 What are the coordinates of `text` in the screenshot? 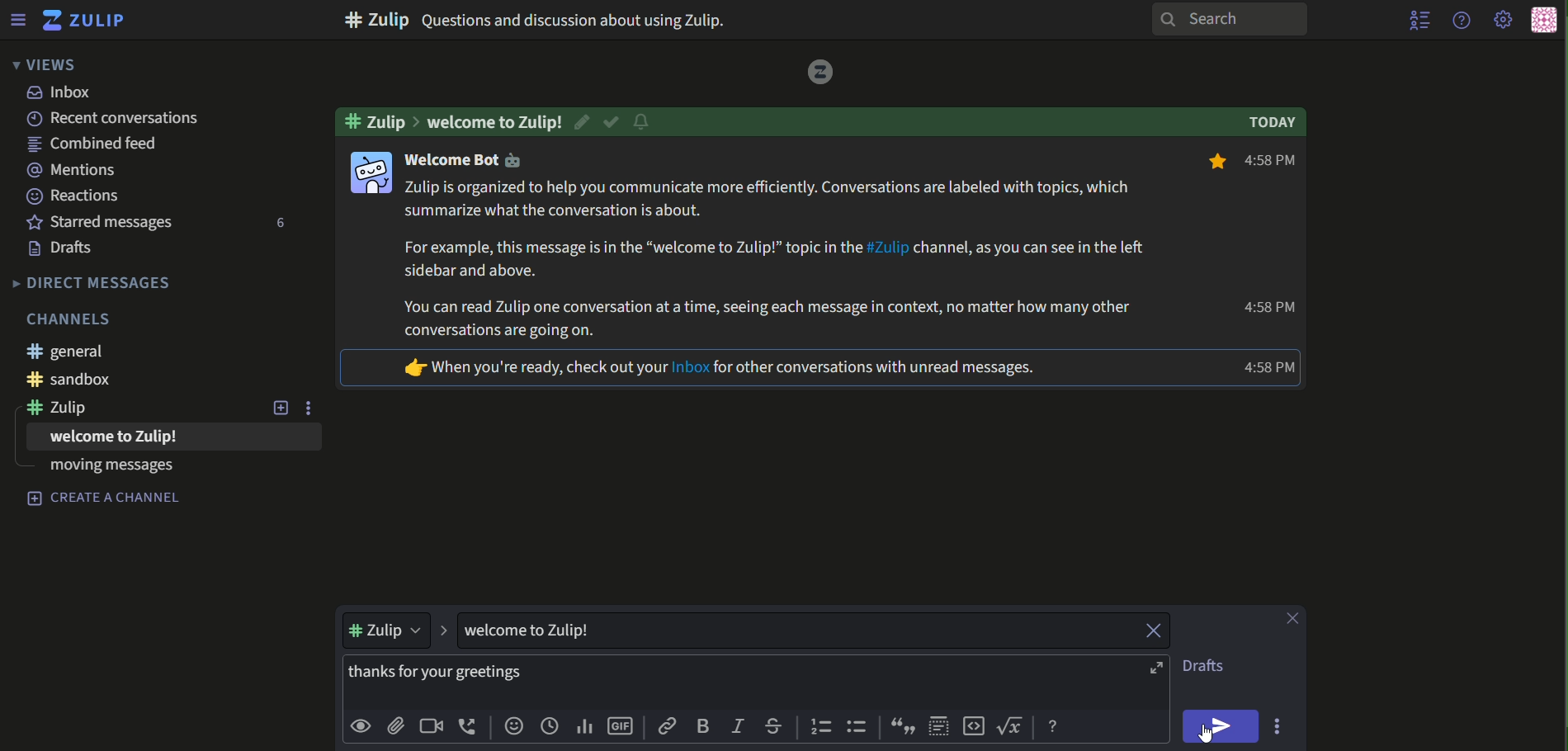 It's located at (100, 379).